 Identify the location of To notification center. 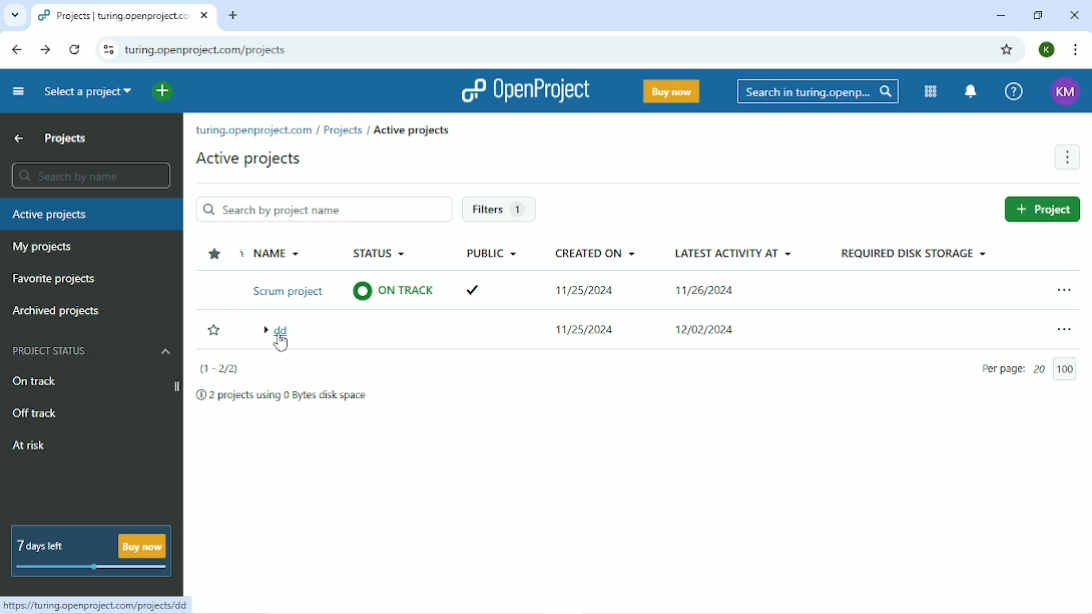
(971, 91).